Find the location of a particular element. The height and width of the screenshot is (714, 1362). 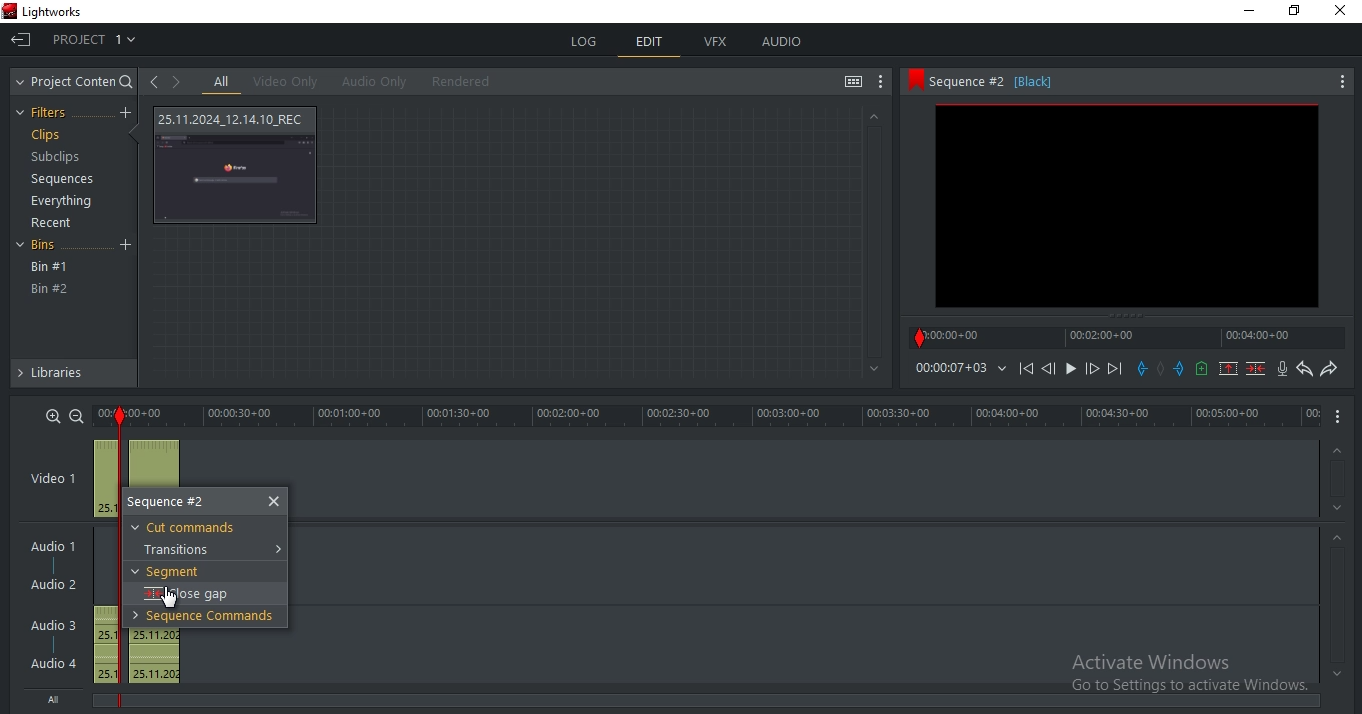

audio is located at coordinates (782, 43).